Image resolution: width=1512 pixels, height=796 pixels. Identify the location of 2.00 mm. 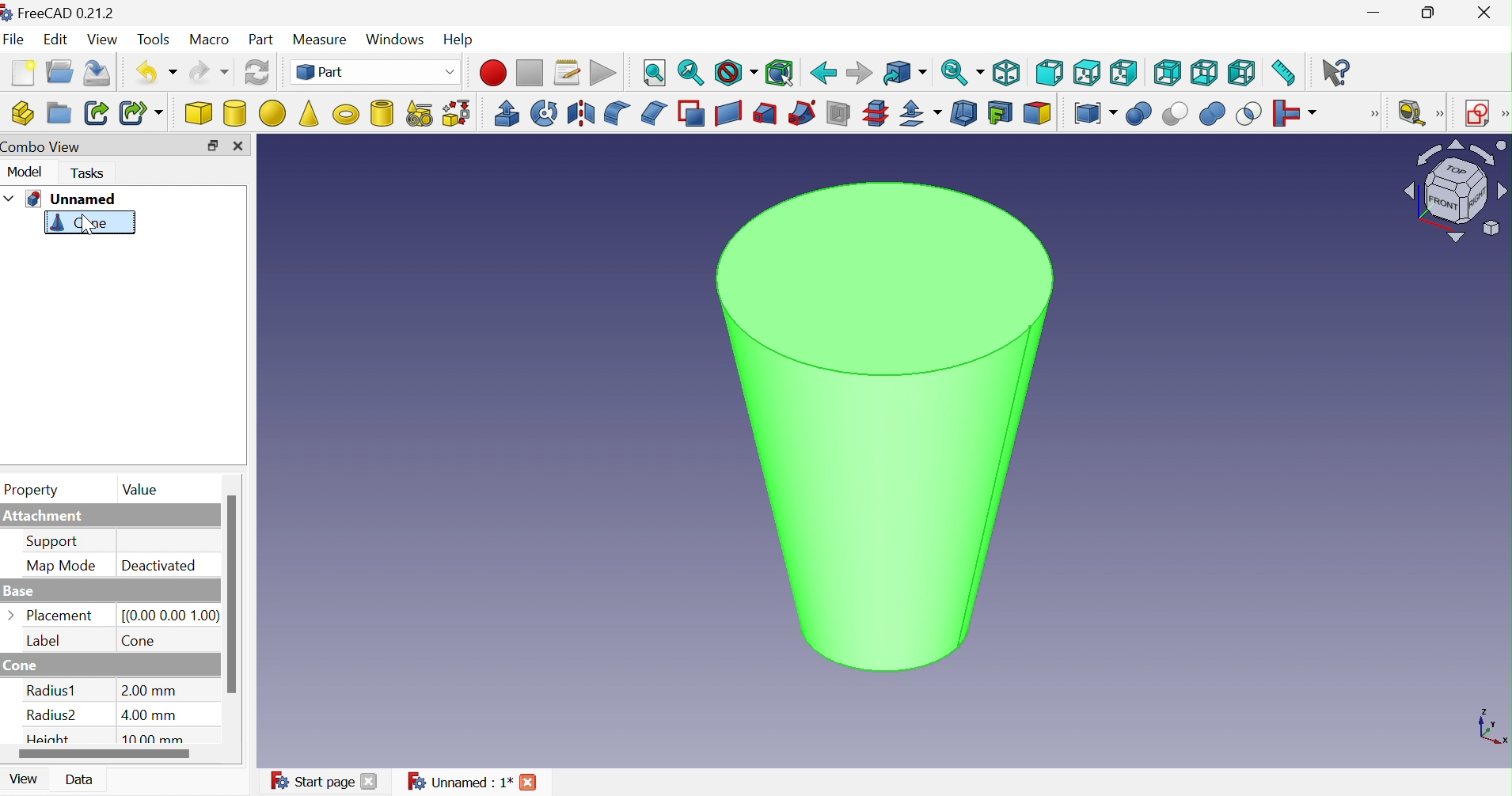
(150, 690).